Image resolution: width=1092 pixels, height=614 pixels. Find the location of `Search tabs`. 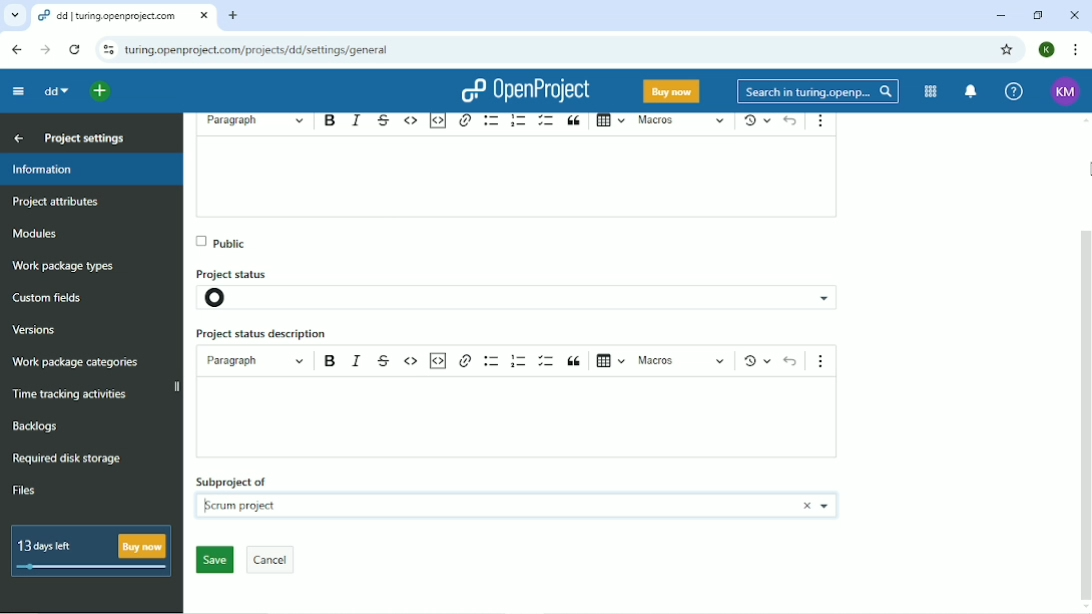

Search tabs is located at coordinates (13, 15).